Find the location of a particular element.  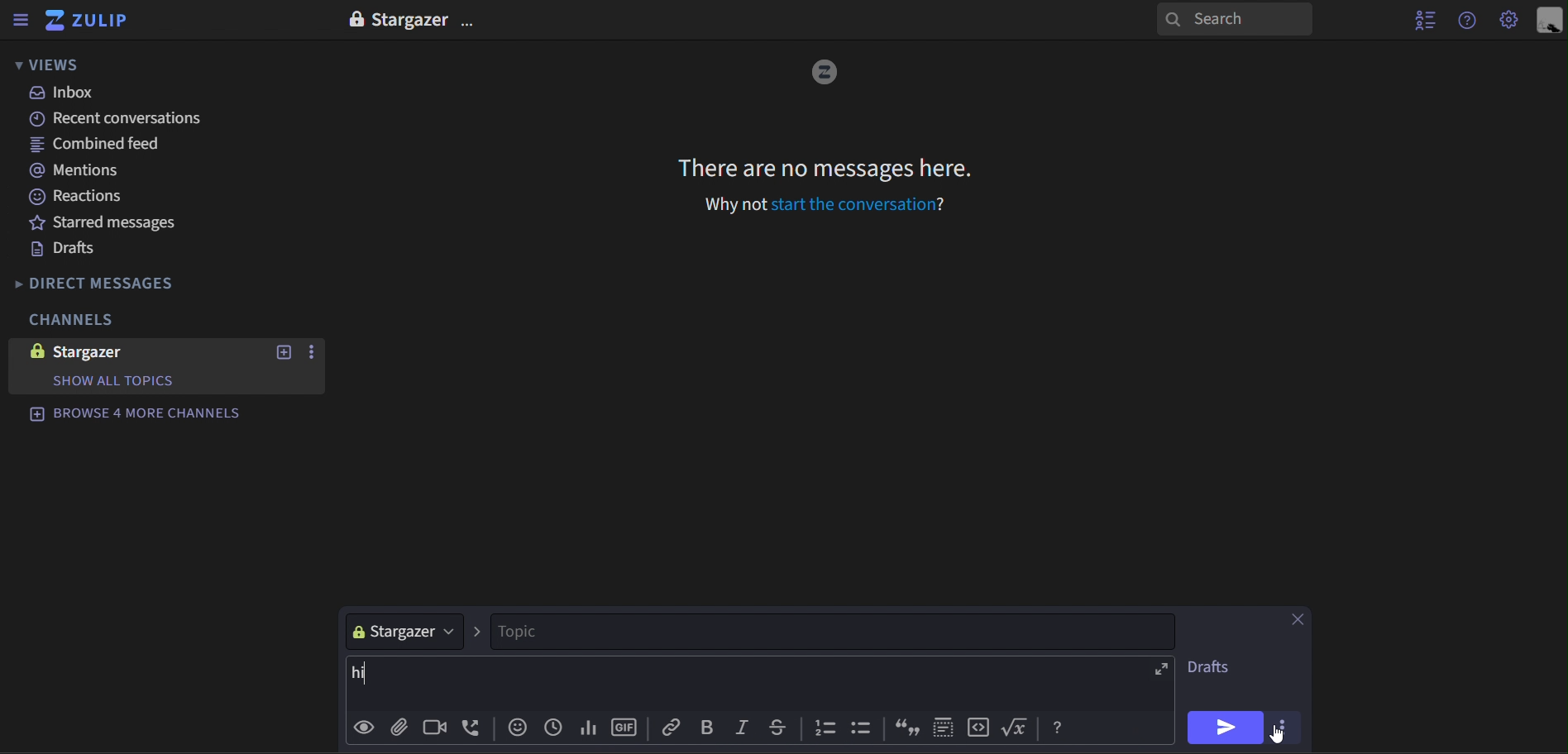

topic is located at coordinates (836, 631).